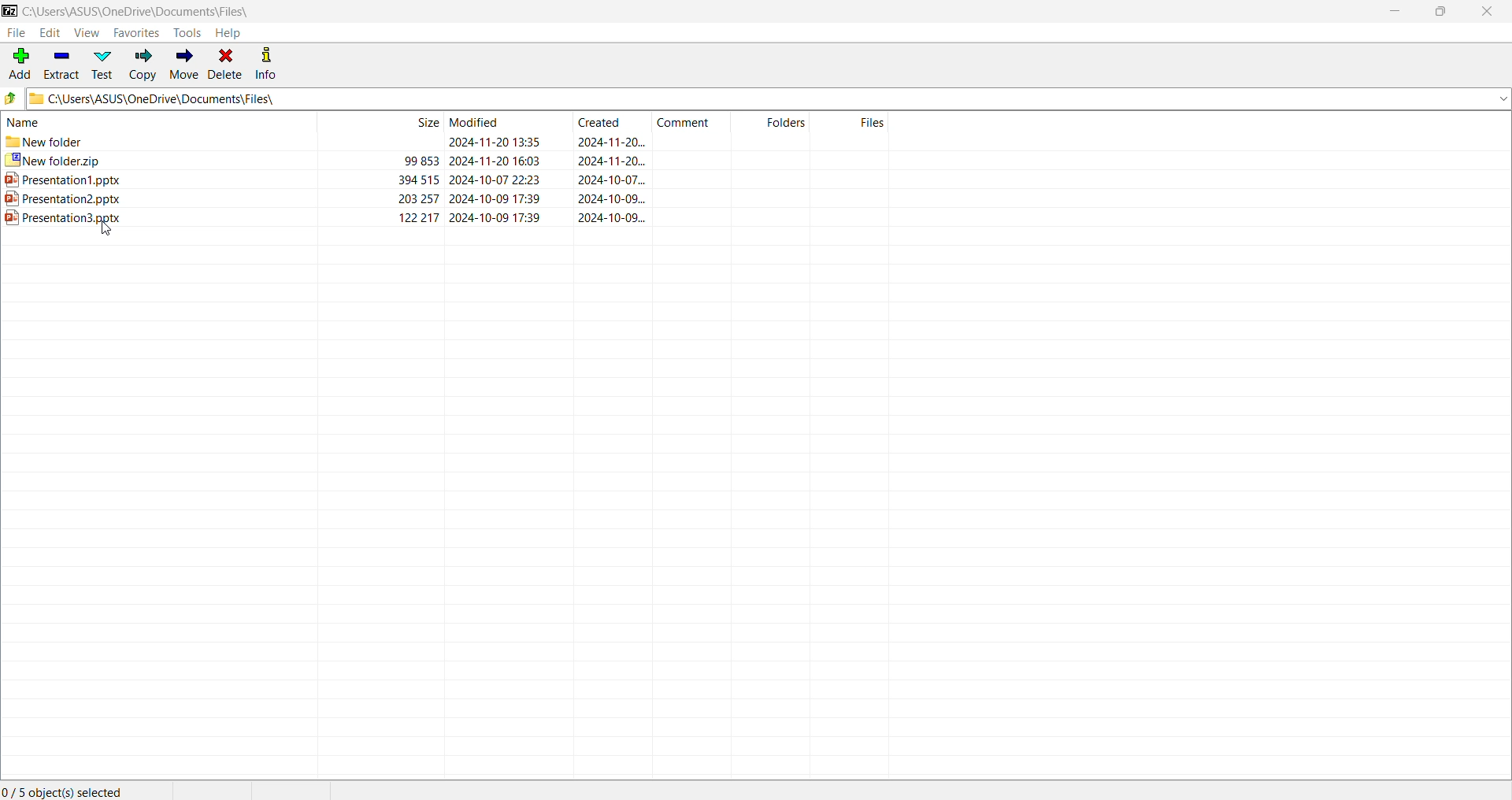  Describe the element at coordinates (446, 180) in the screenshot. I see `ppt 1` at that location.